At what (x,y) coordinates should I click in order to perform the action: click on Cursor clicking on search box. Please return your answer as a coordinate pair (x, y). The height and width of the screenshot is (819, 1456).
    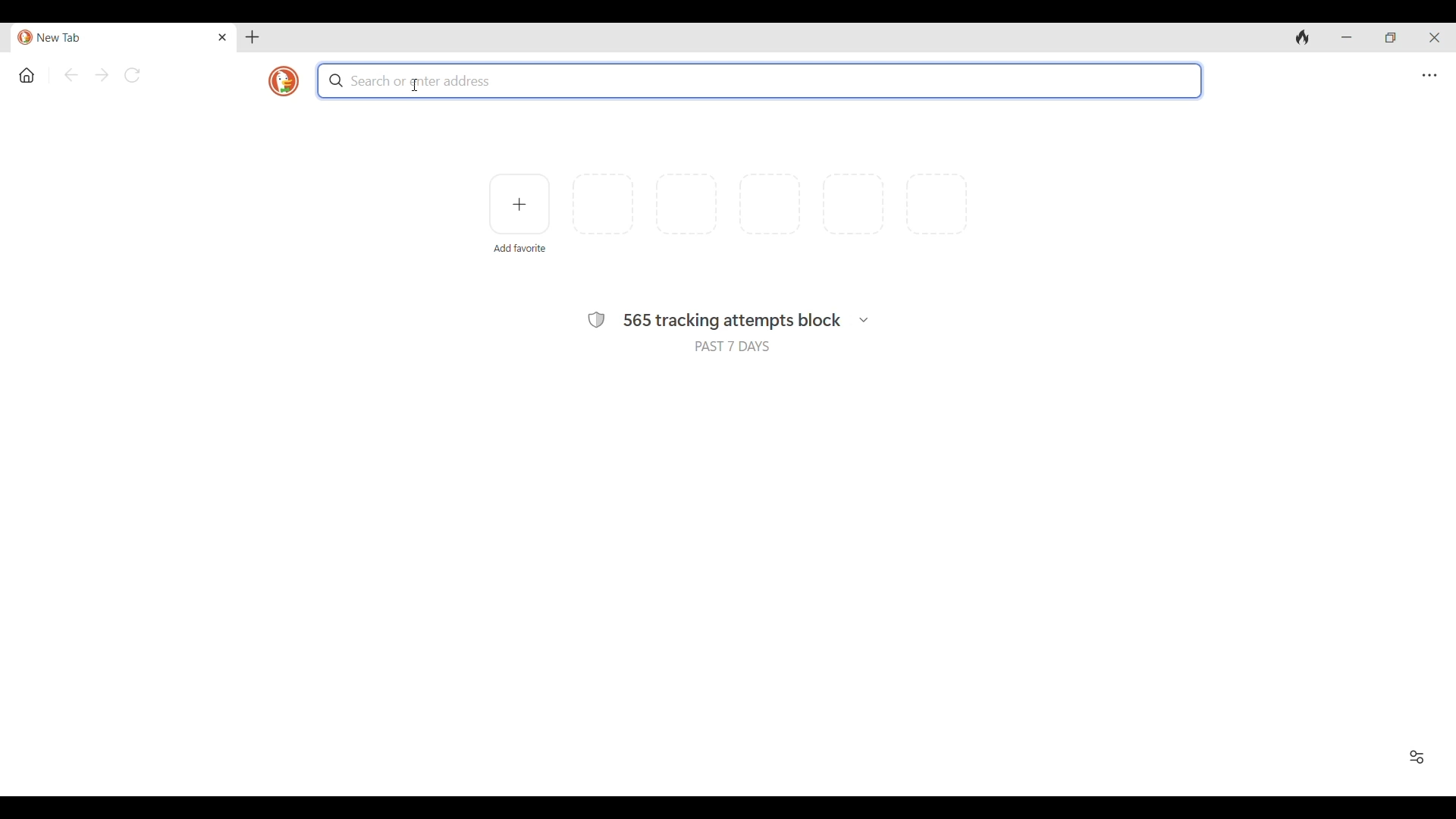
    Looking at the image, I should click on (416, 85).